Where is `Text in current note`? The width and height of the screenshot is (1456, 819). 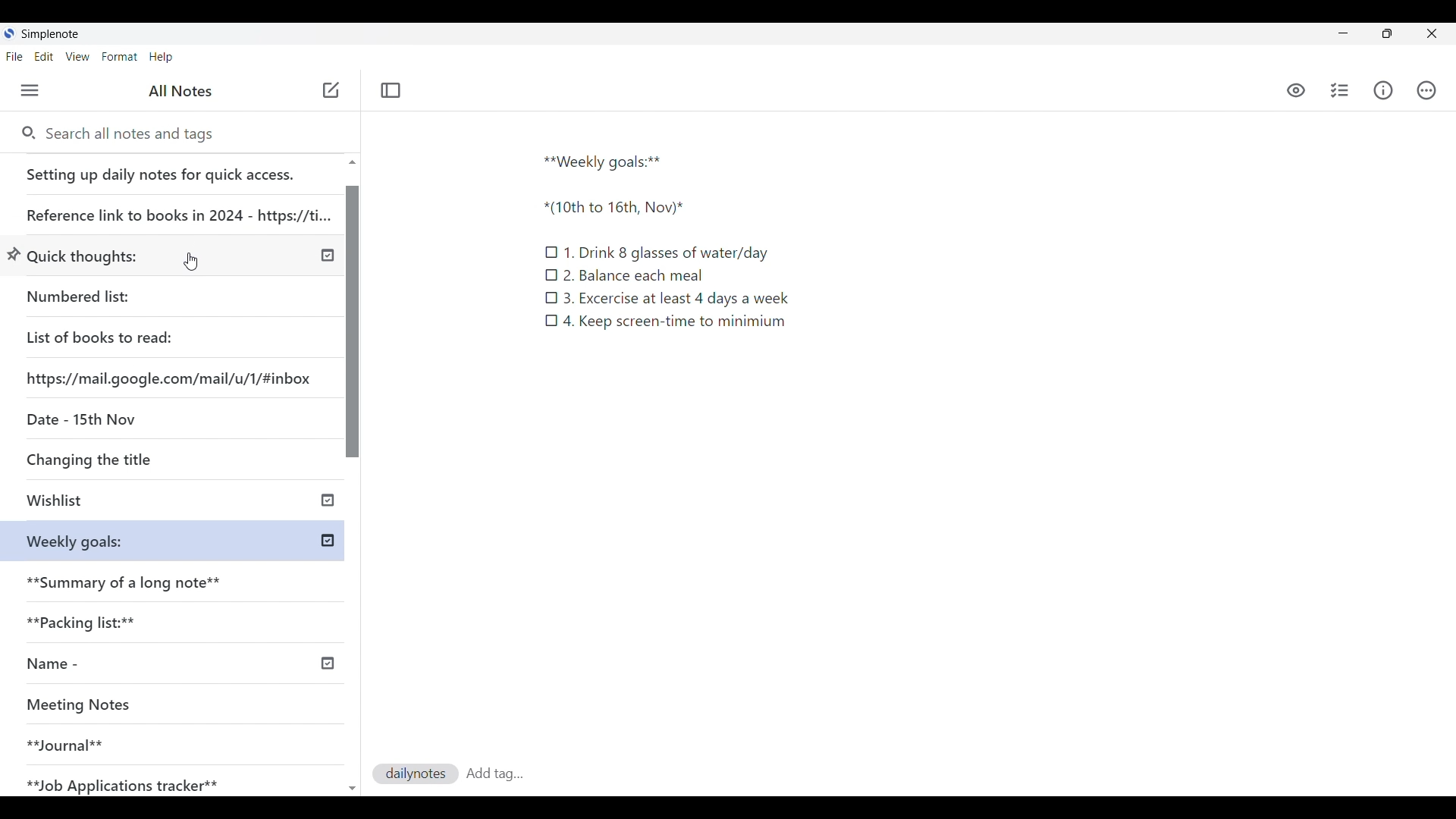 Text in current note is located at coordinates (665, 240).